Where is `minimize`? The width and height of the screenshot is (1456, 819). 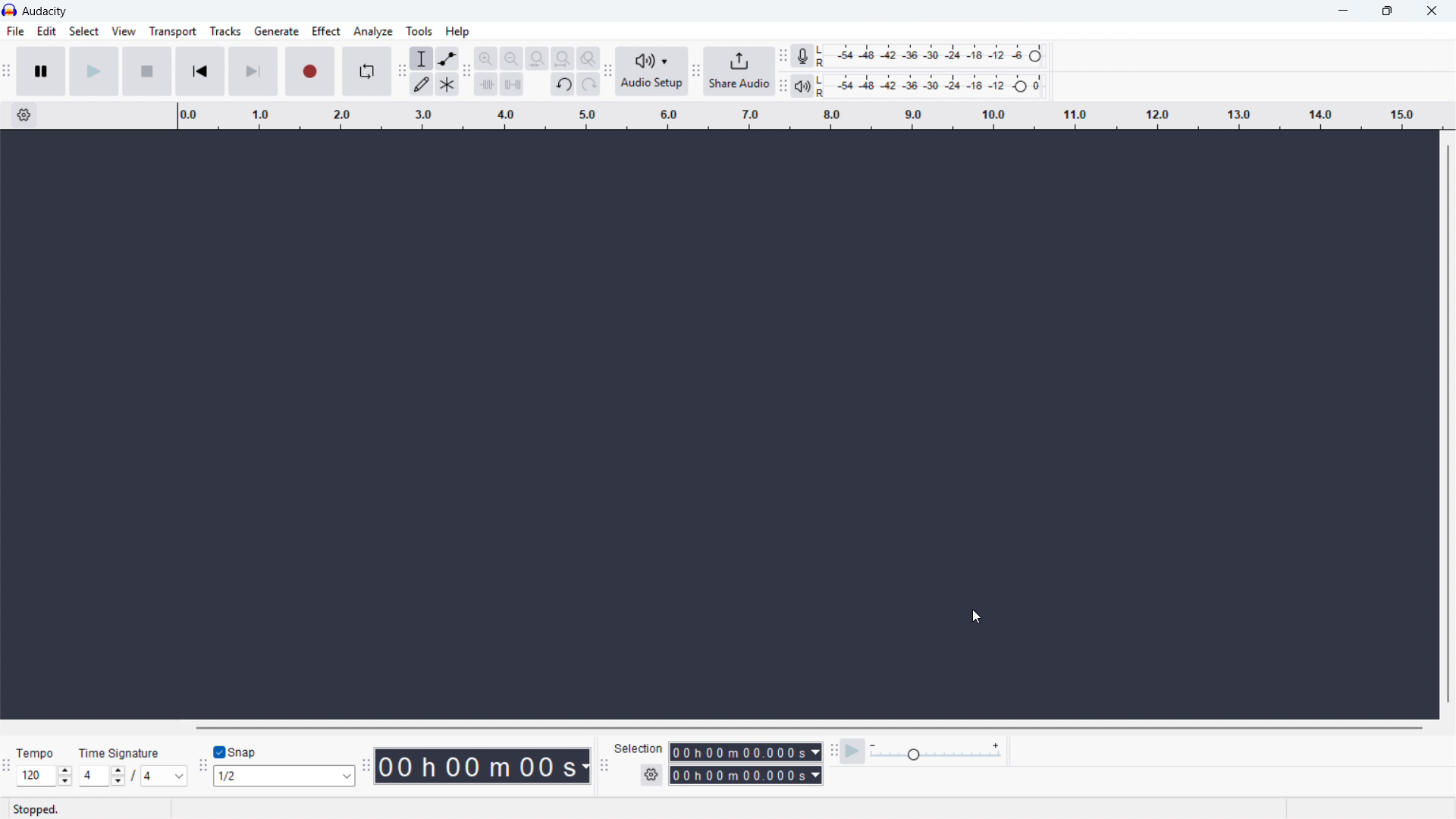 minimize is located at coordinates (1342, 11).